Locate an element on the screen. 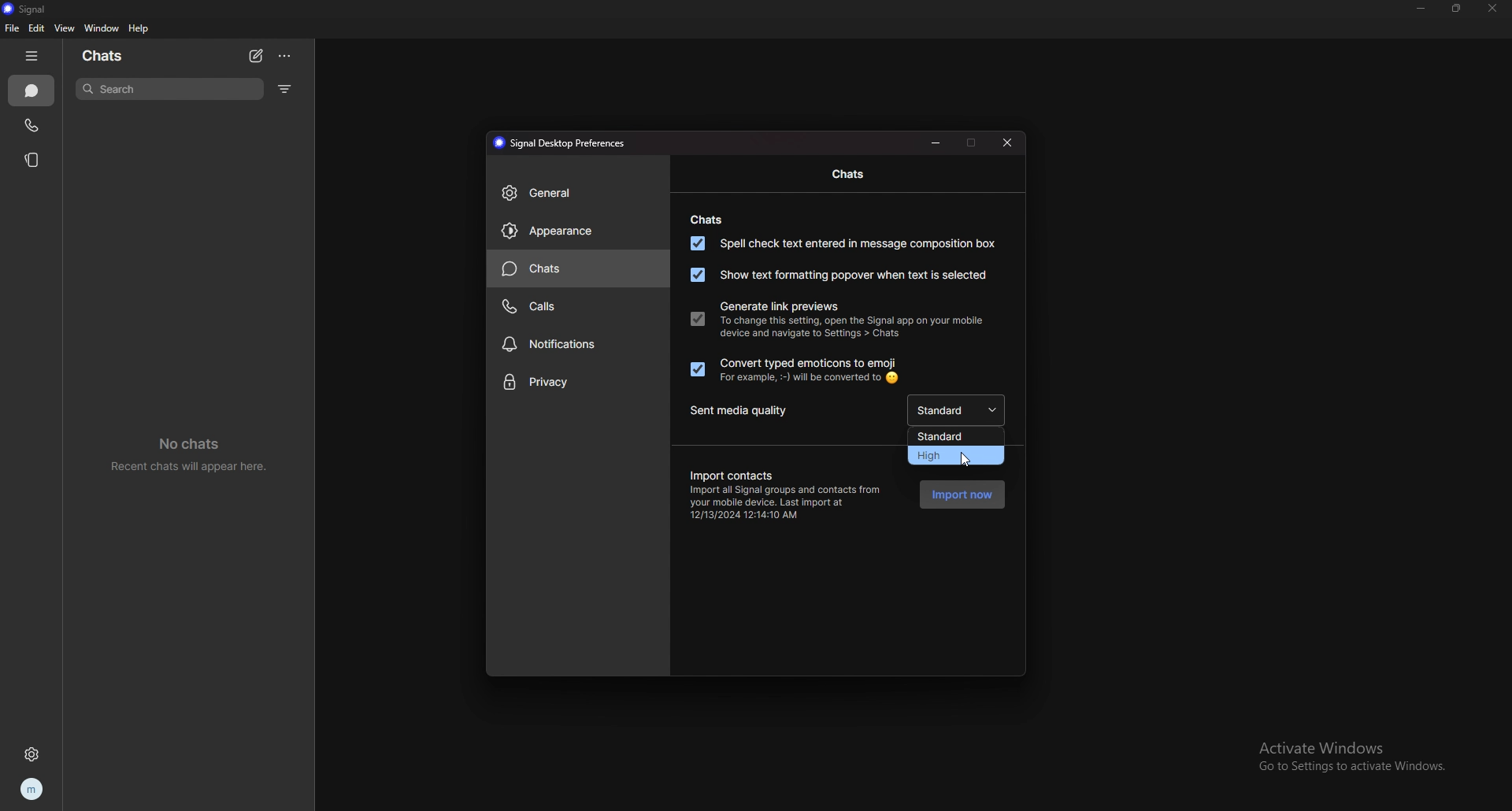  filter is located at coordinates (286, 88).